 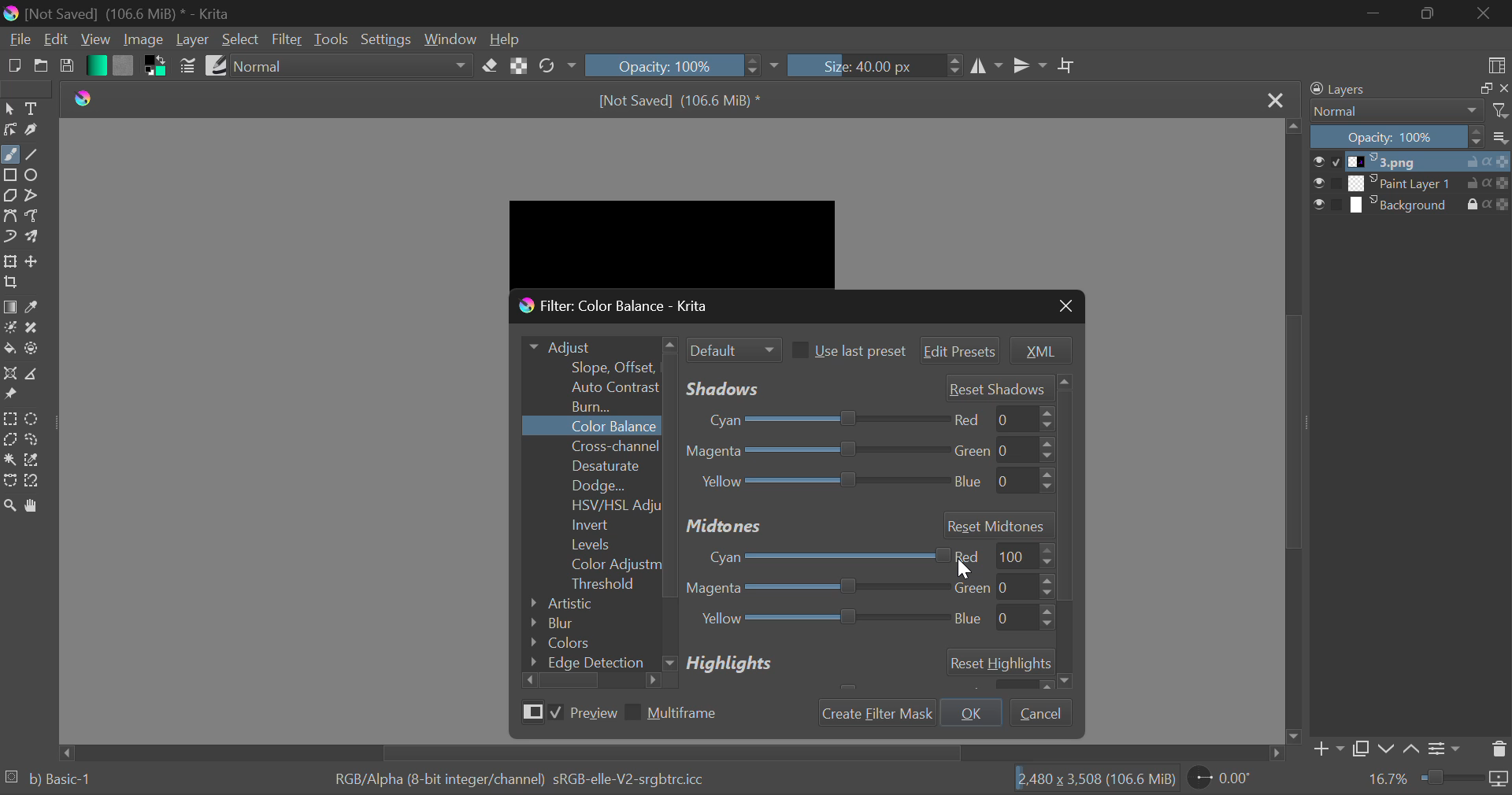 What do you see at coordinates (1389, 91) in the screenshot?
I see `Layers` at bounding box center [1389, 91].